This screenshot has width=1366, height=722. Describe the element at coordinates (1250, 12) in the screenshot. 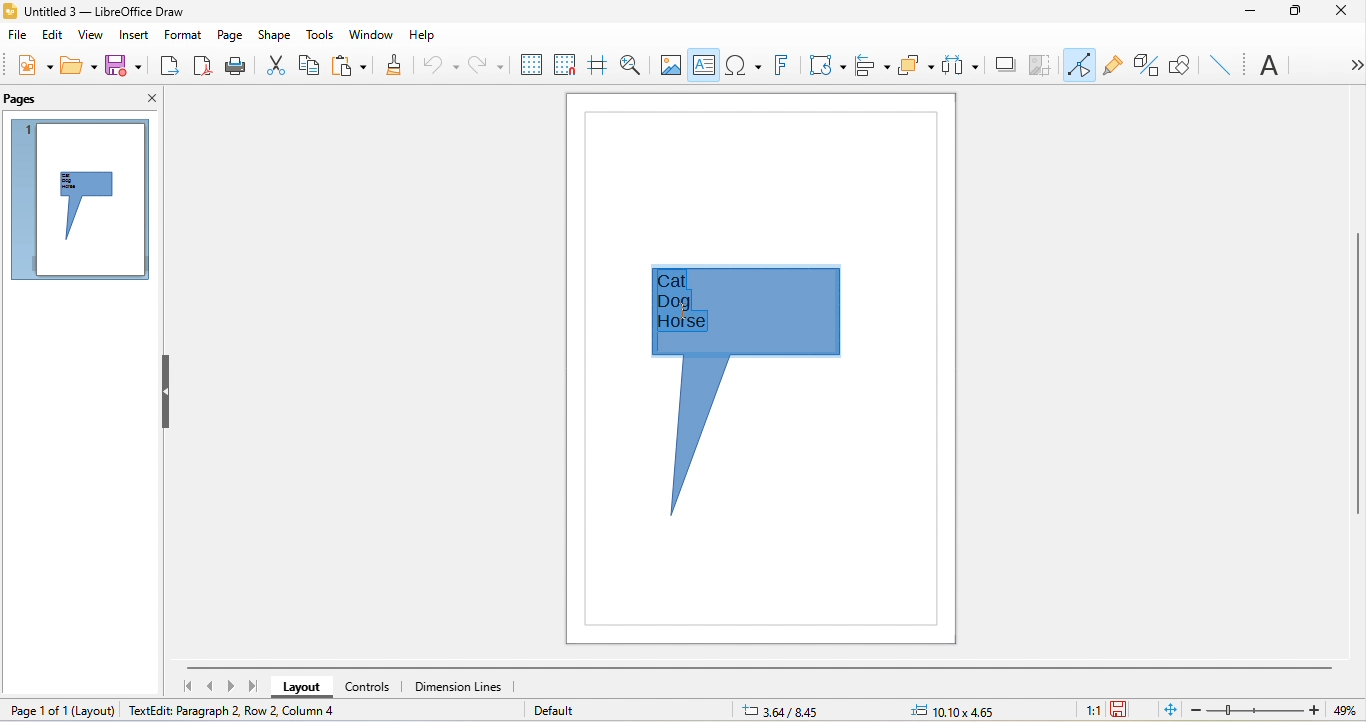

I see `minimize` at that location.